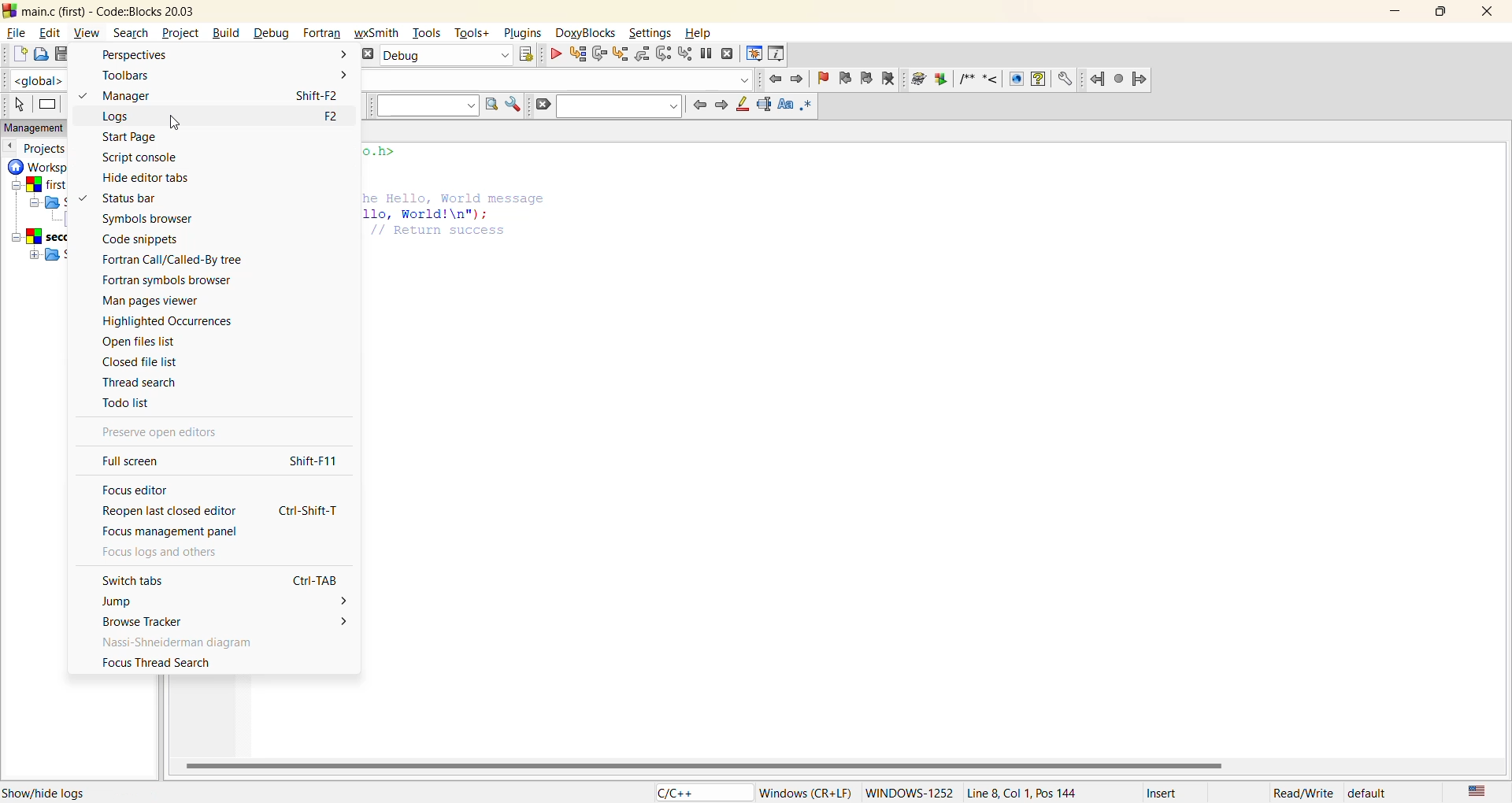  Describe the element at coordinates (1017, 79) in the screenshot. I see `web` at that location.